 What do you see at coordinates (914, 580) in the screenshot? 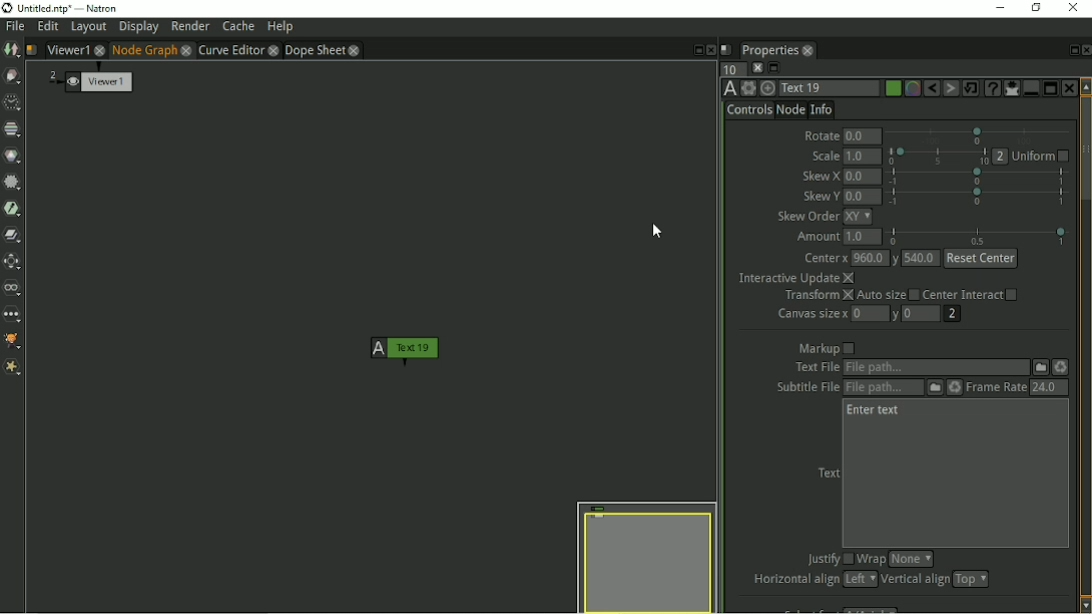
I see `Vertical align` at bounding box center [914, 580].